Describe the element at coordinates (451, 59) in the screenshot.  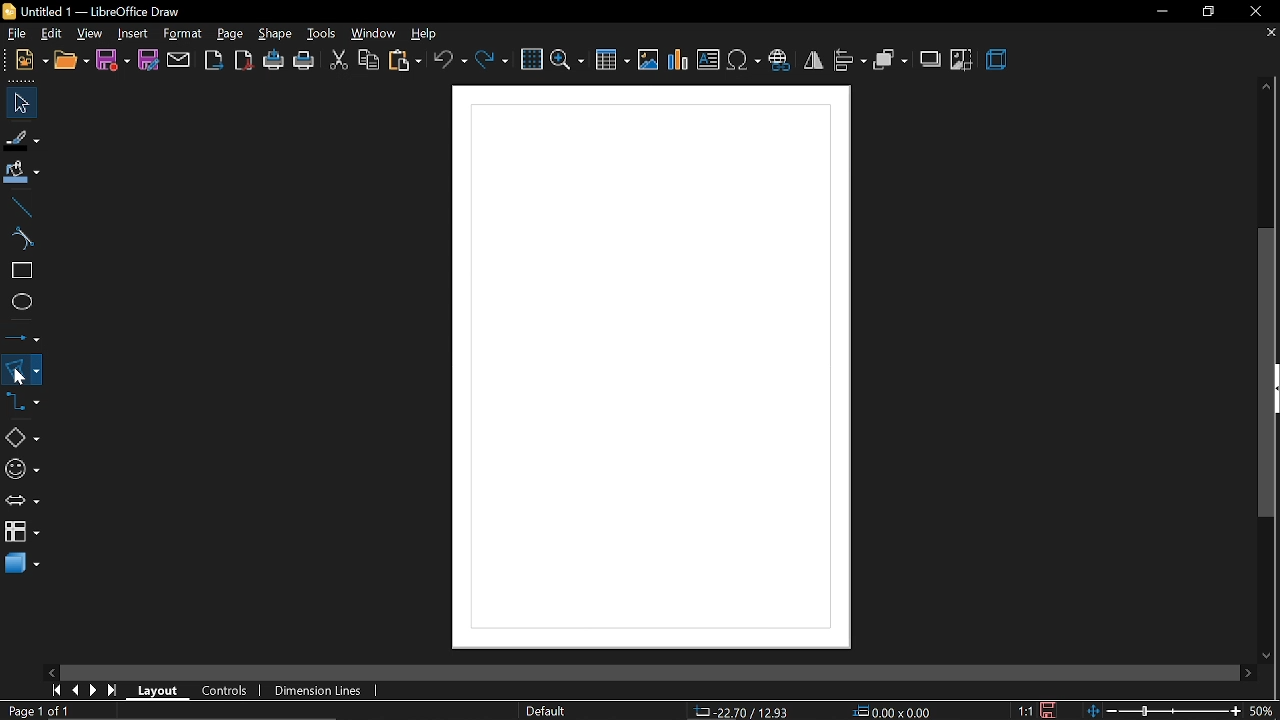
I see `undo` at that location.